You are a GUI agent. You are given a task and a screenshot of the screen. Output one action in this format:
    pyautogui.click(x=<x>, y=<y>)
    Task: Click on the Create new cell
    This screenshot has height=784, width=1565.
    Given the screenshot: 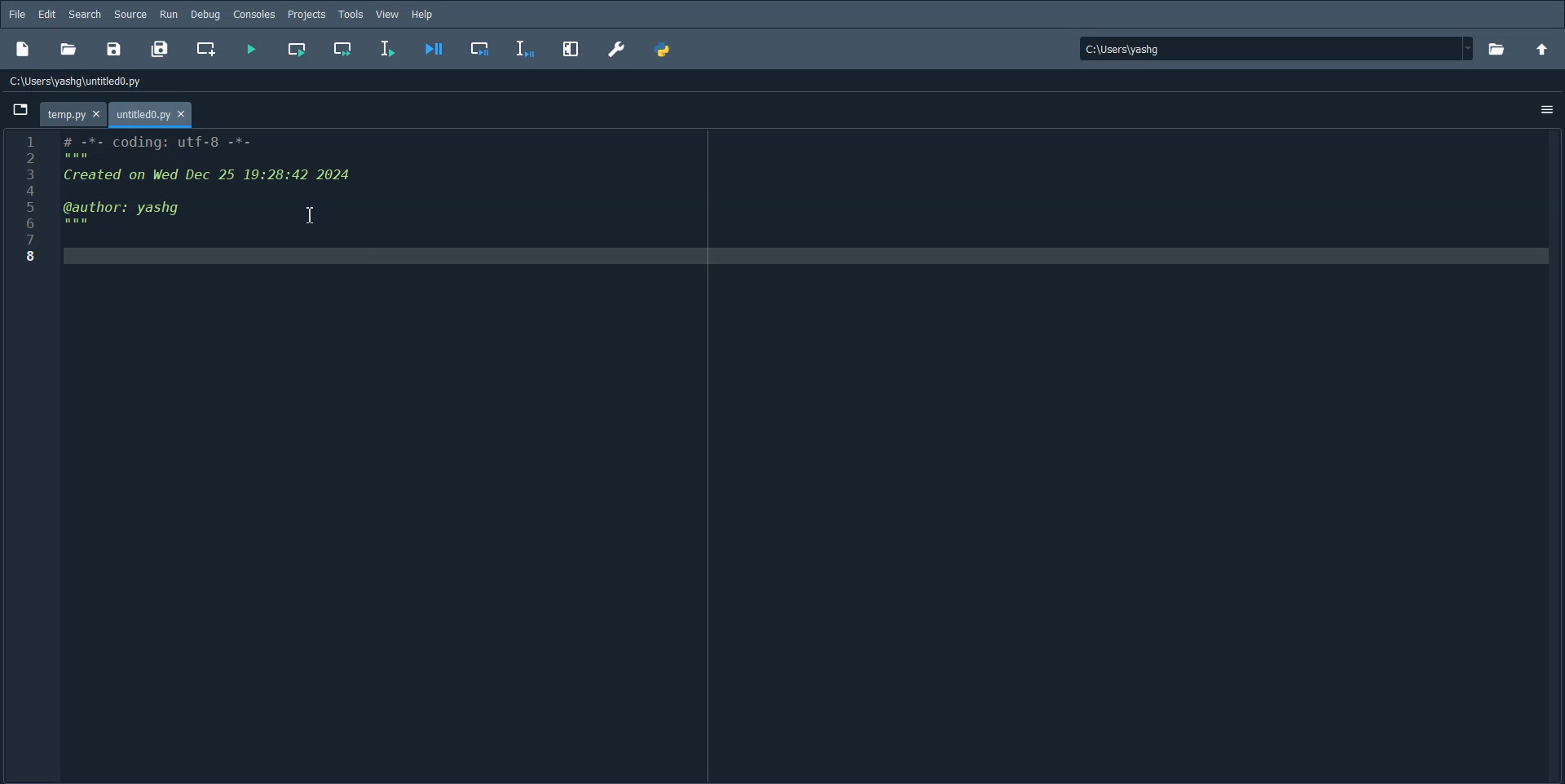 What is the action you would take?
    pyautogui.click(x=205, y=49)
    